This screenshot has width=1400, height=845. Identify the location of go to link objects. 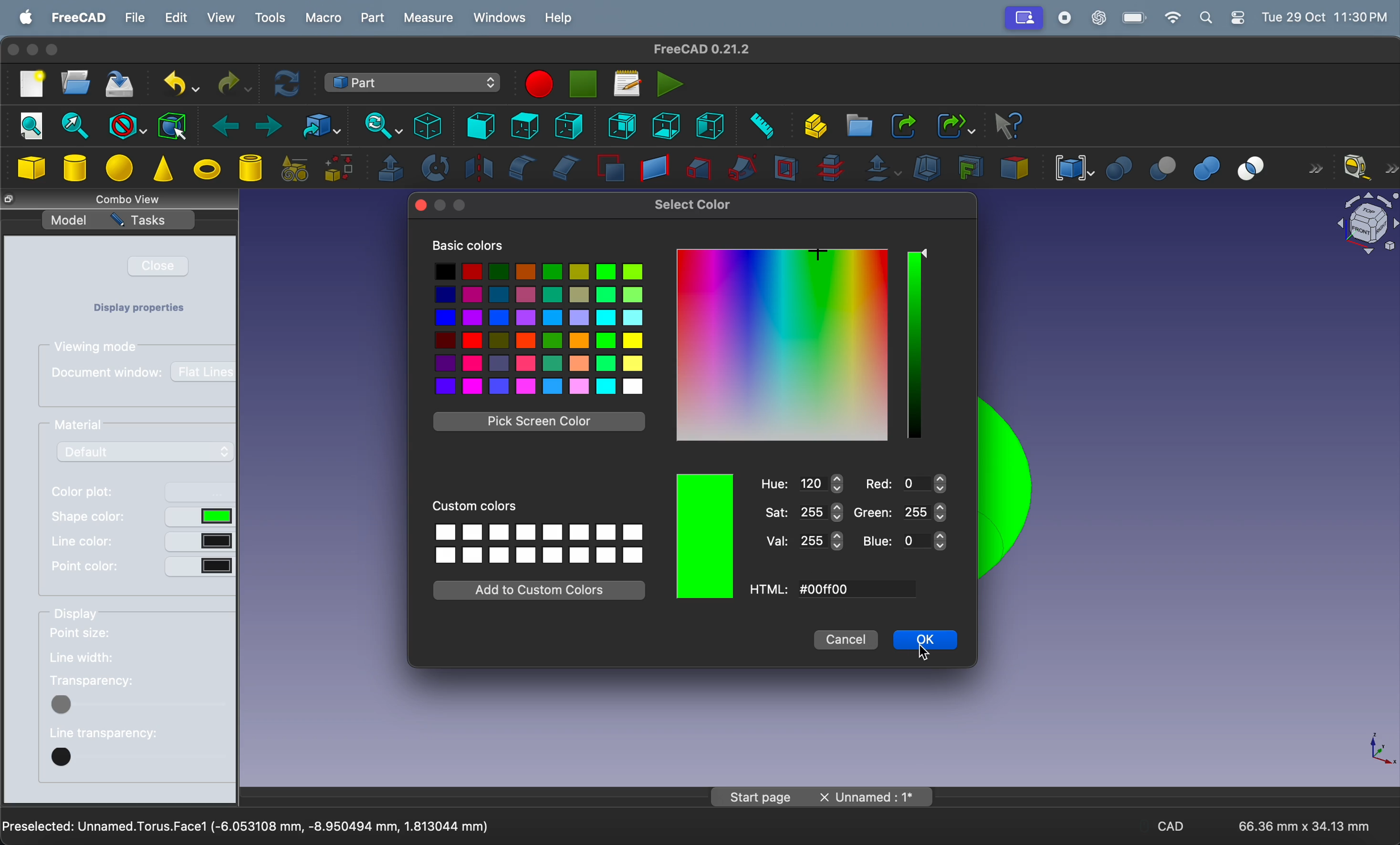
(315, 126).